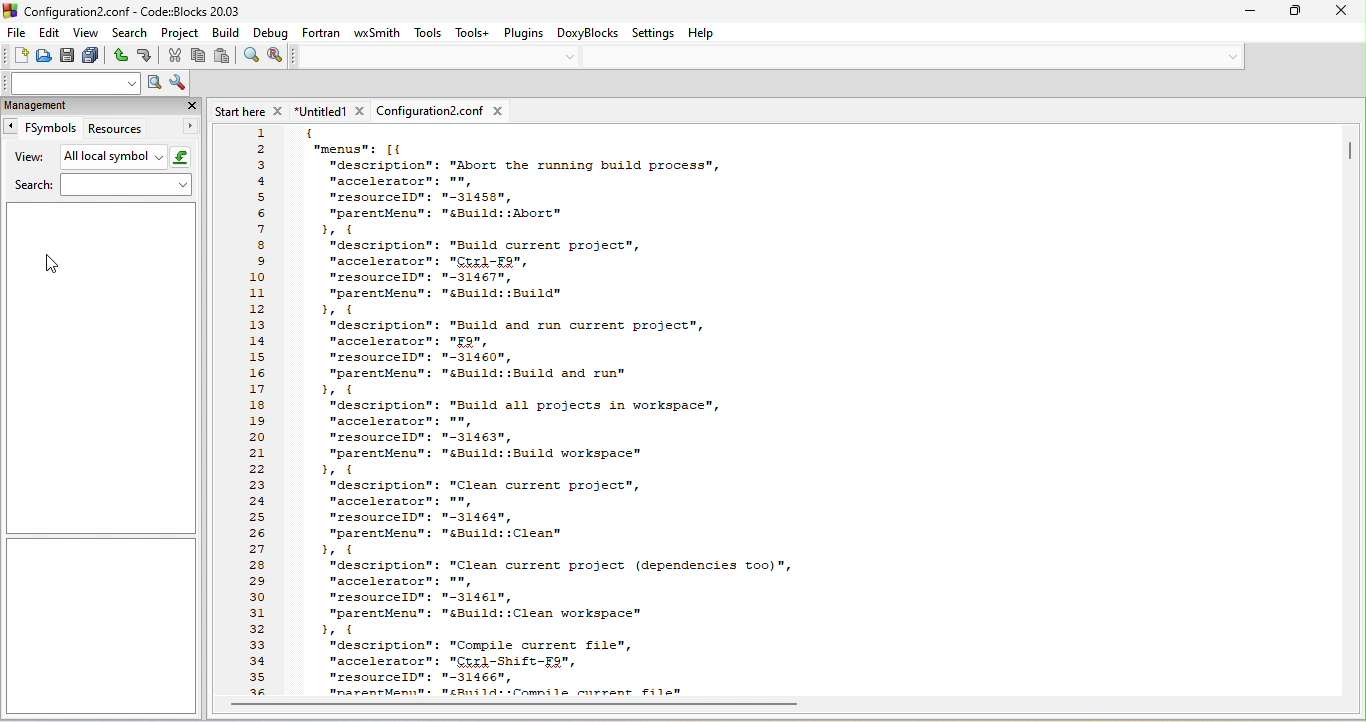 Image resolution: width=1366 pixels, height=722 pixels. I want to click on fortran, so click(321, 34).